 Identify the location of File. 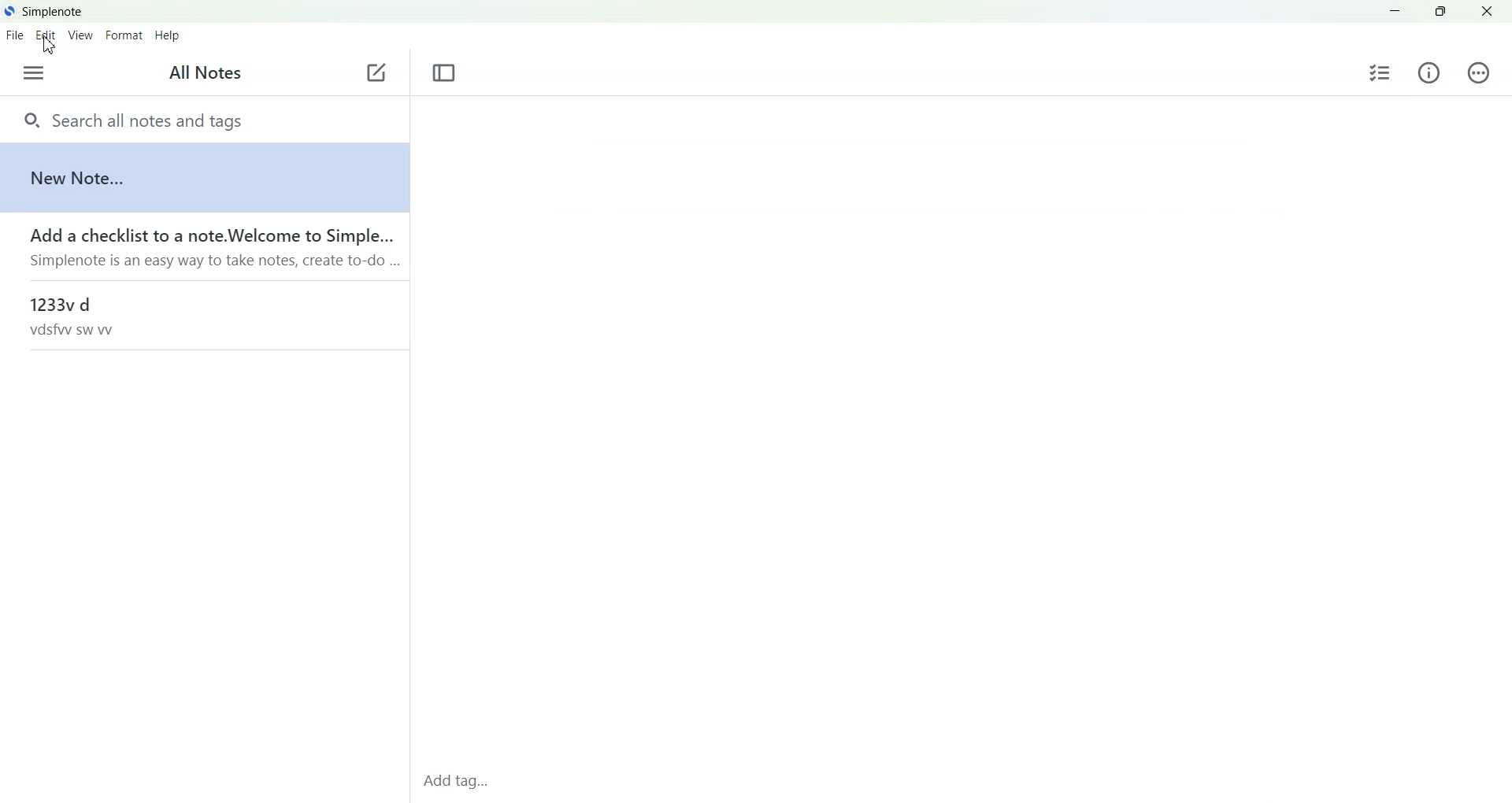
(14, 35).